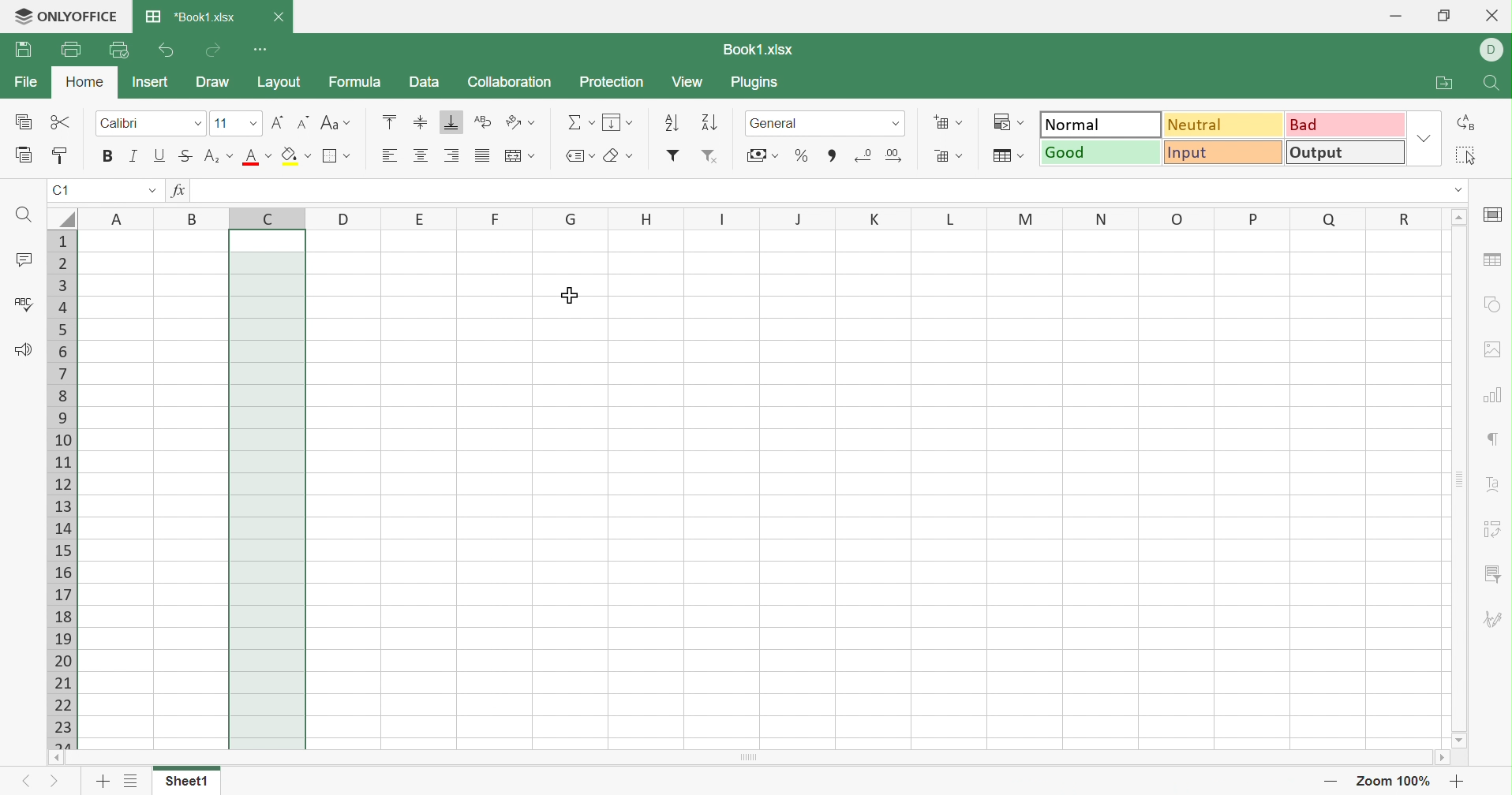 This screenshot has height=795, width=1512. What do you see at coordinates (281, 82) in the screenshot?
I see `Layout` at bounding box center [281, 82].